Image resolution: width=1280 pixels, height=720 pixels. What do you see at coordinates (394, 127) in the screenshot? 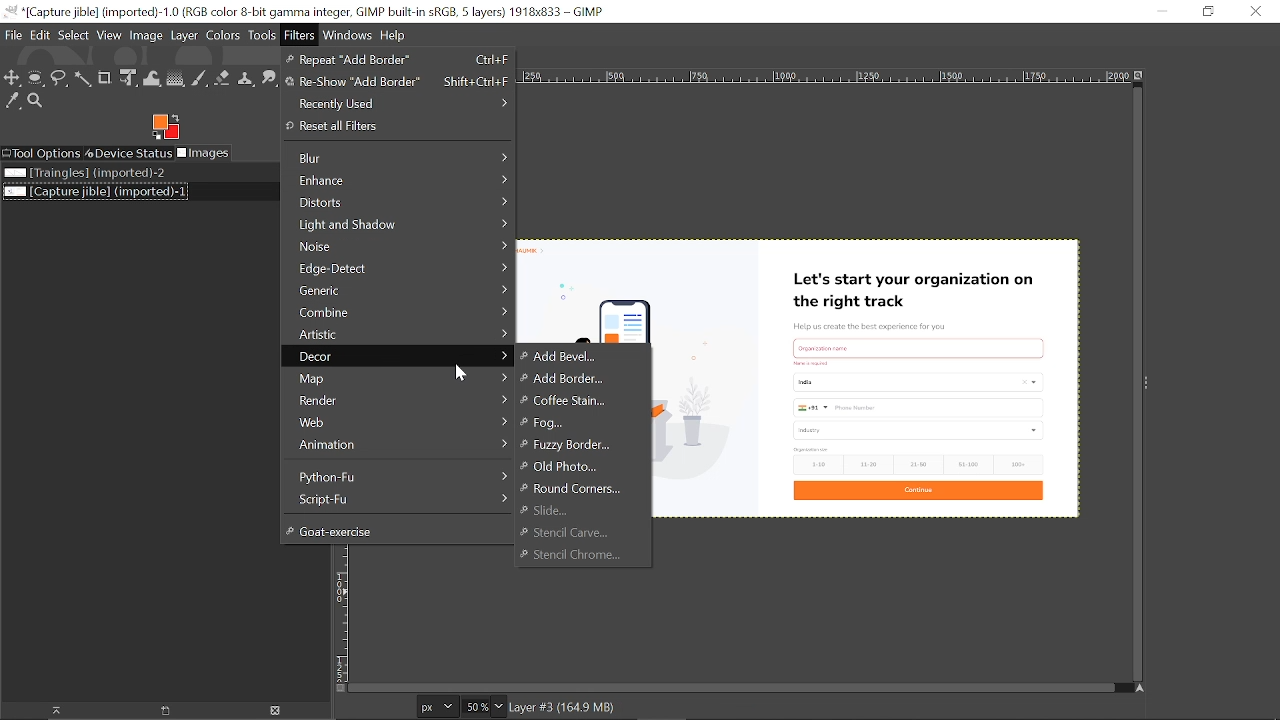
I see `Reset all filters` at bounding box center [394, 127].